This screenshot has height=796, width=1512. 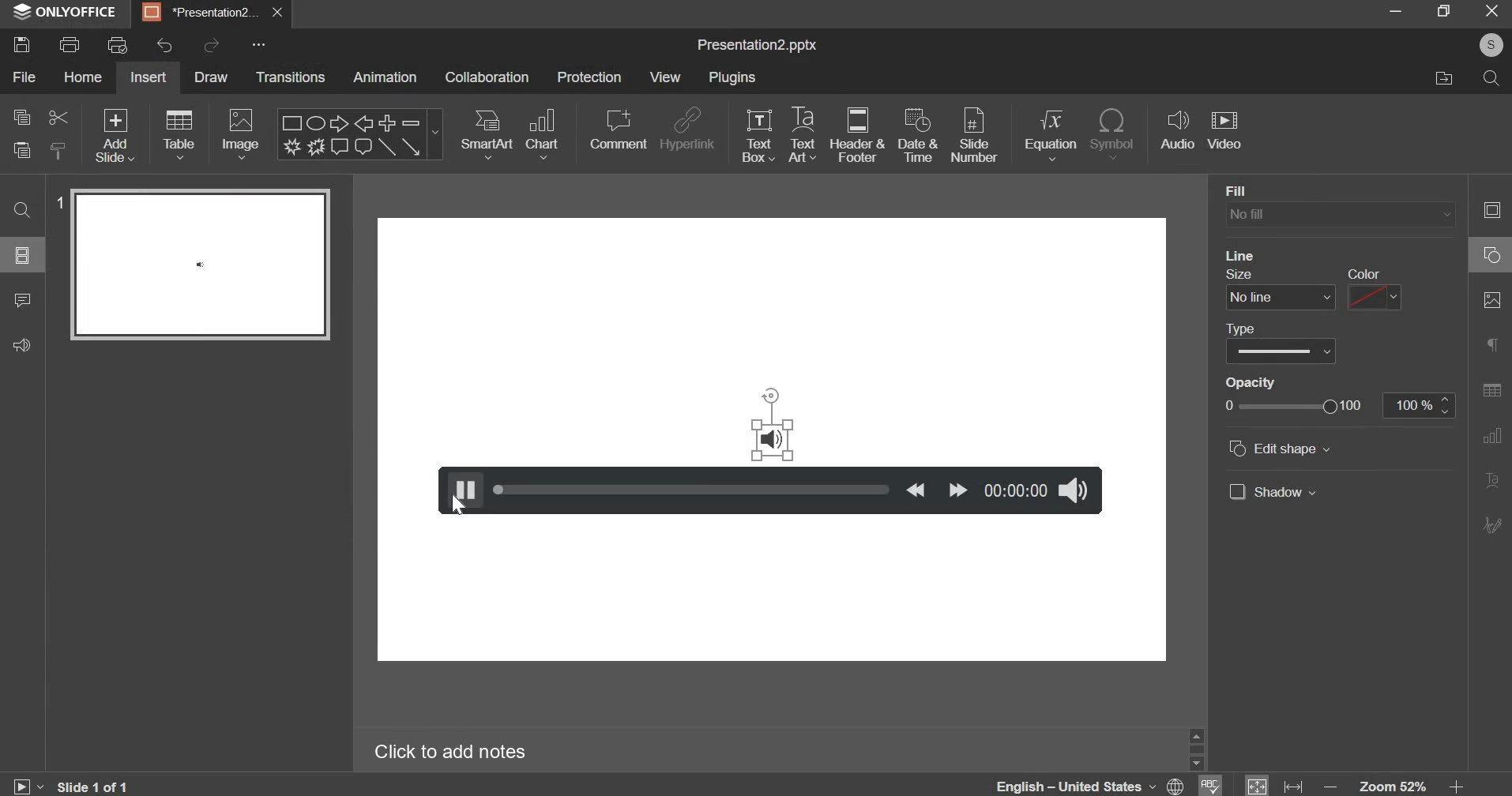 I want to click on slider, so click(x=693, y=489).